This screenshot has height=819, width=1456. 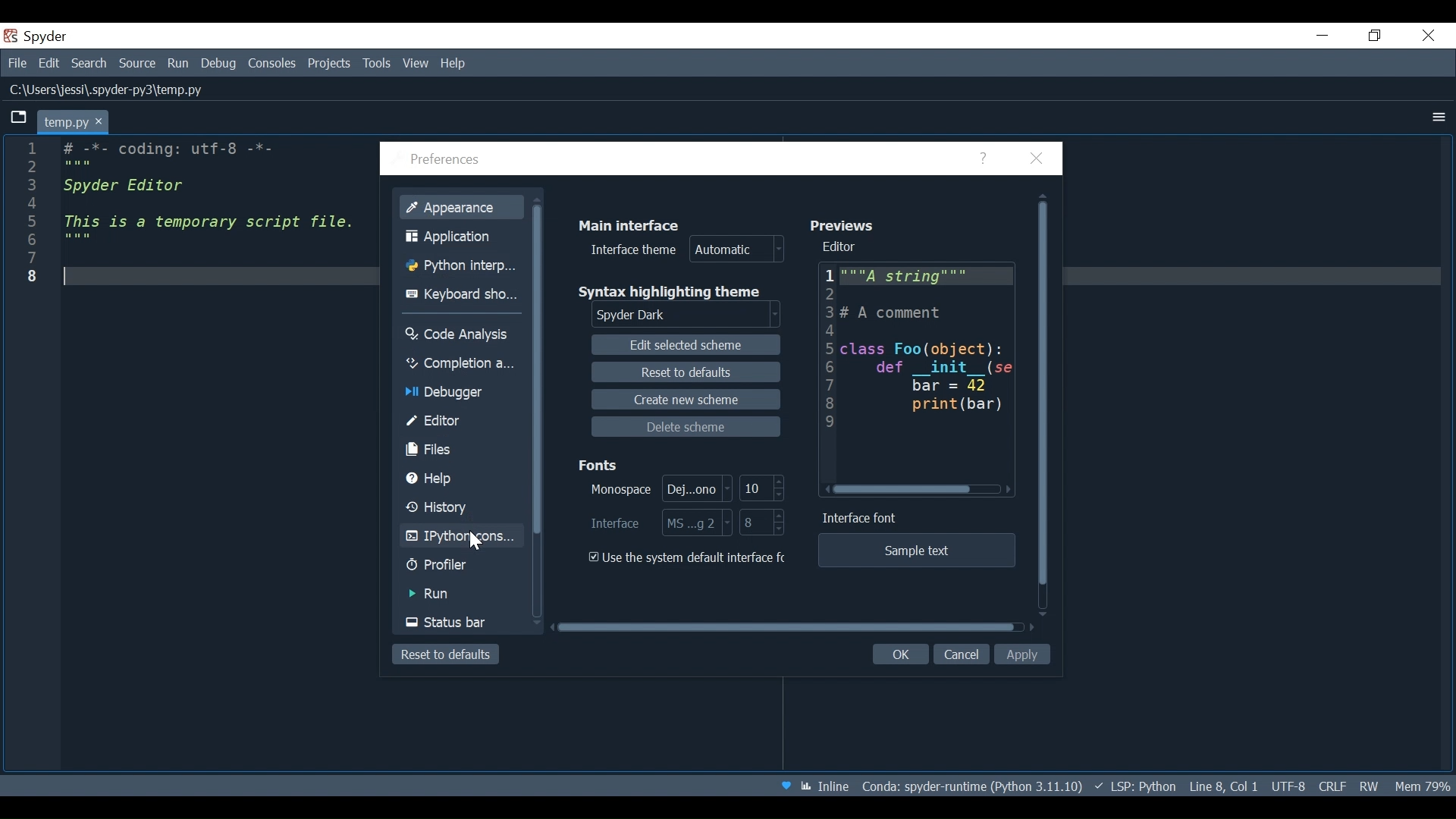 I want to click on Toggle inline and interactive Matplotlib plotting, so click(x=834, y=786).